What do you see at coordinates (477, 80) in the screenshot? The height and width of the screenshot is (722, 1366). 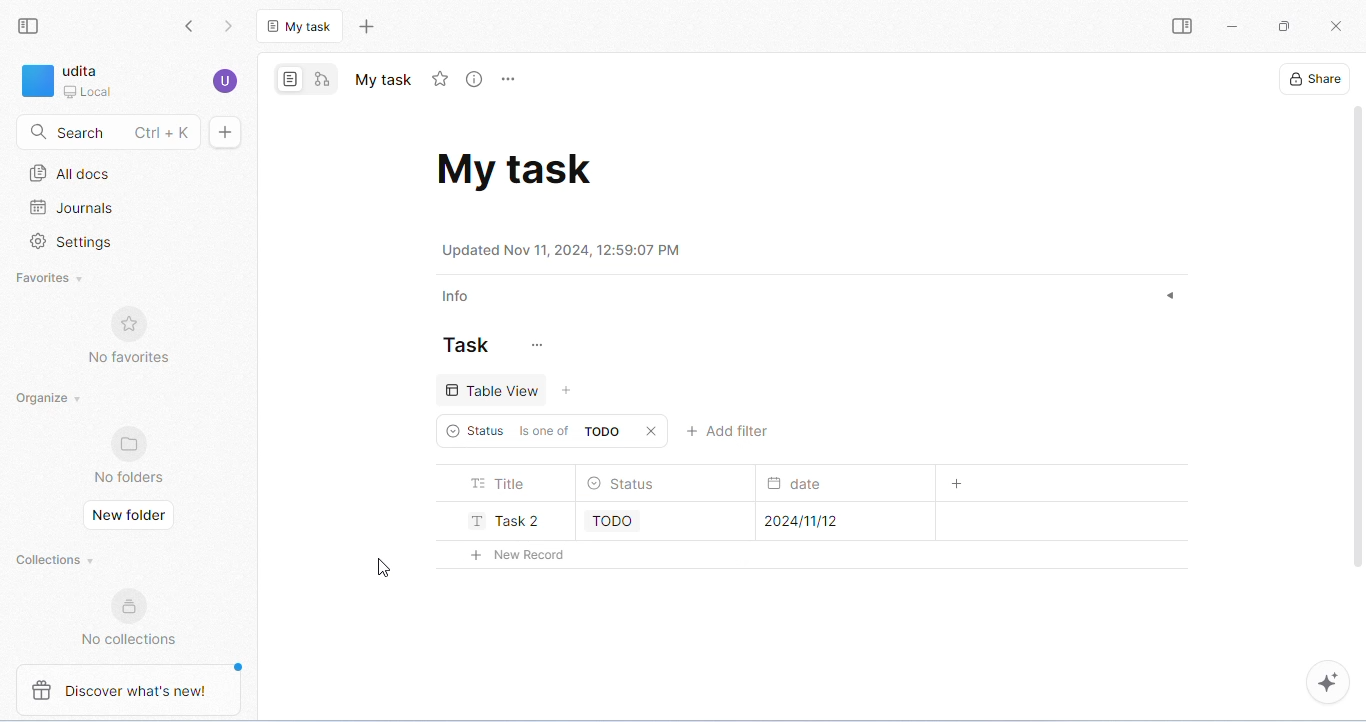 I see `view info` at bounding box center [477, 80].